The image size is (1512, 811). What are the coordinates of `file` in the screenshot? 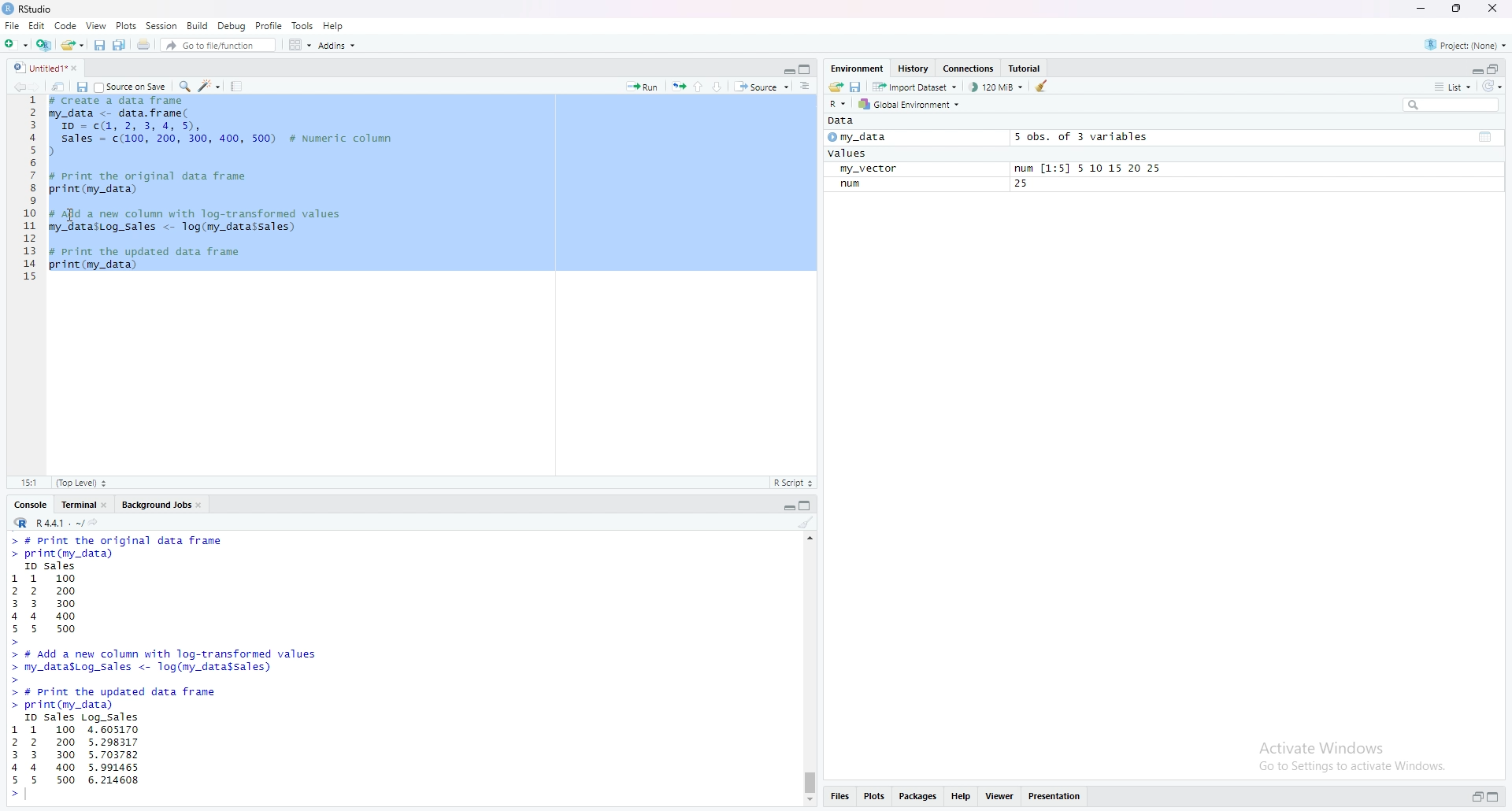 It's located at (13, 25).